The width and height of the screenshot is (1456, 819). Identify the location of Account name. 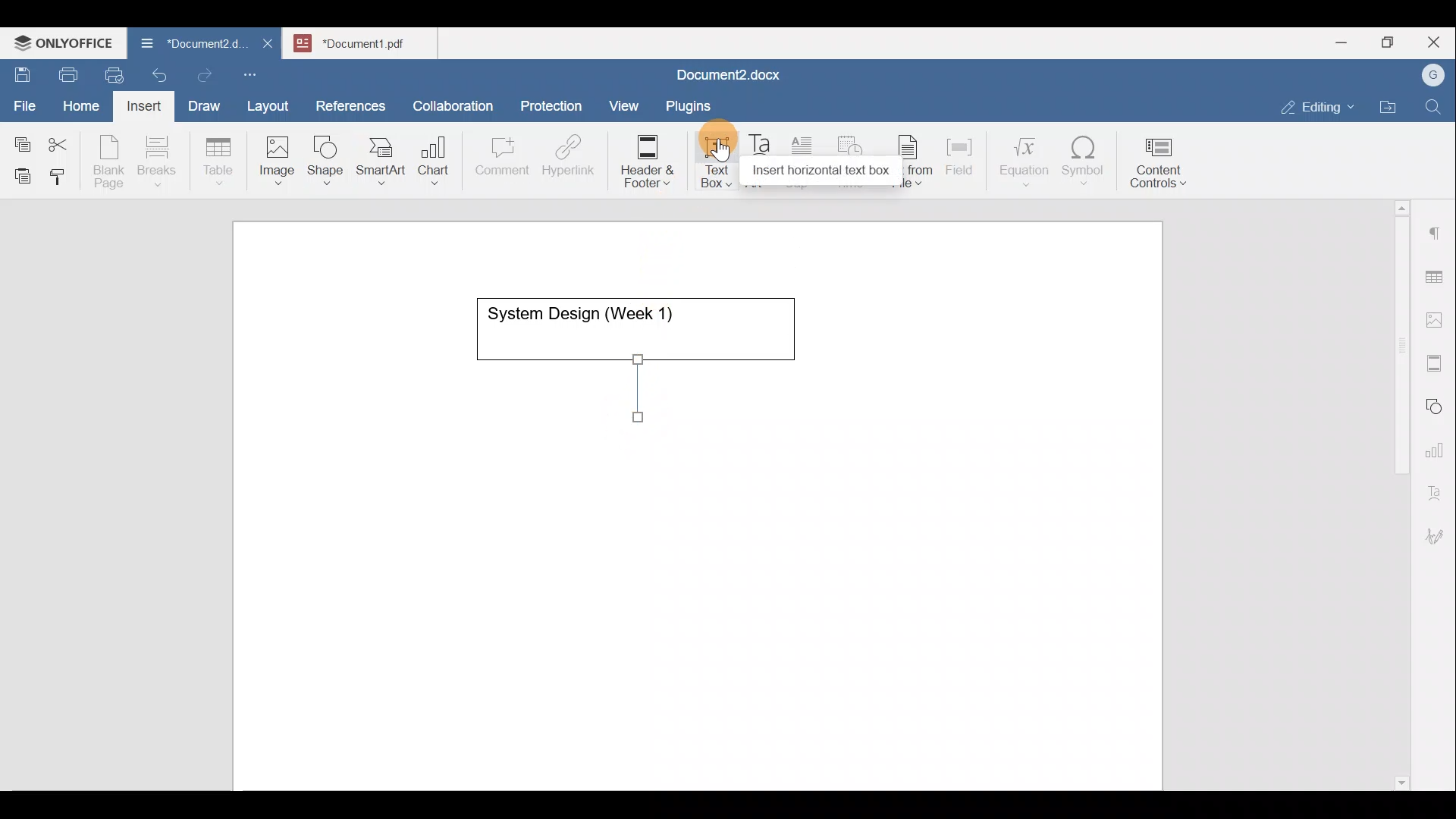
(1429, 76).